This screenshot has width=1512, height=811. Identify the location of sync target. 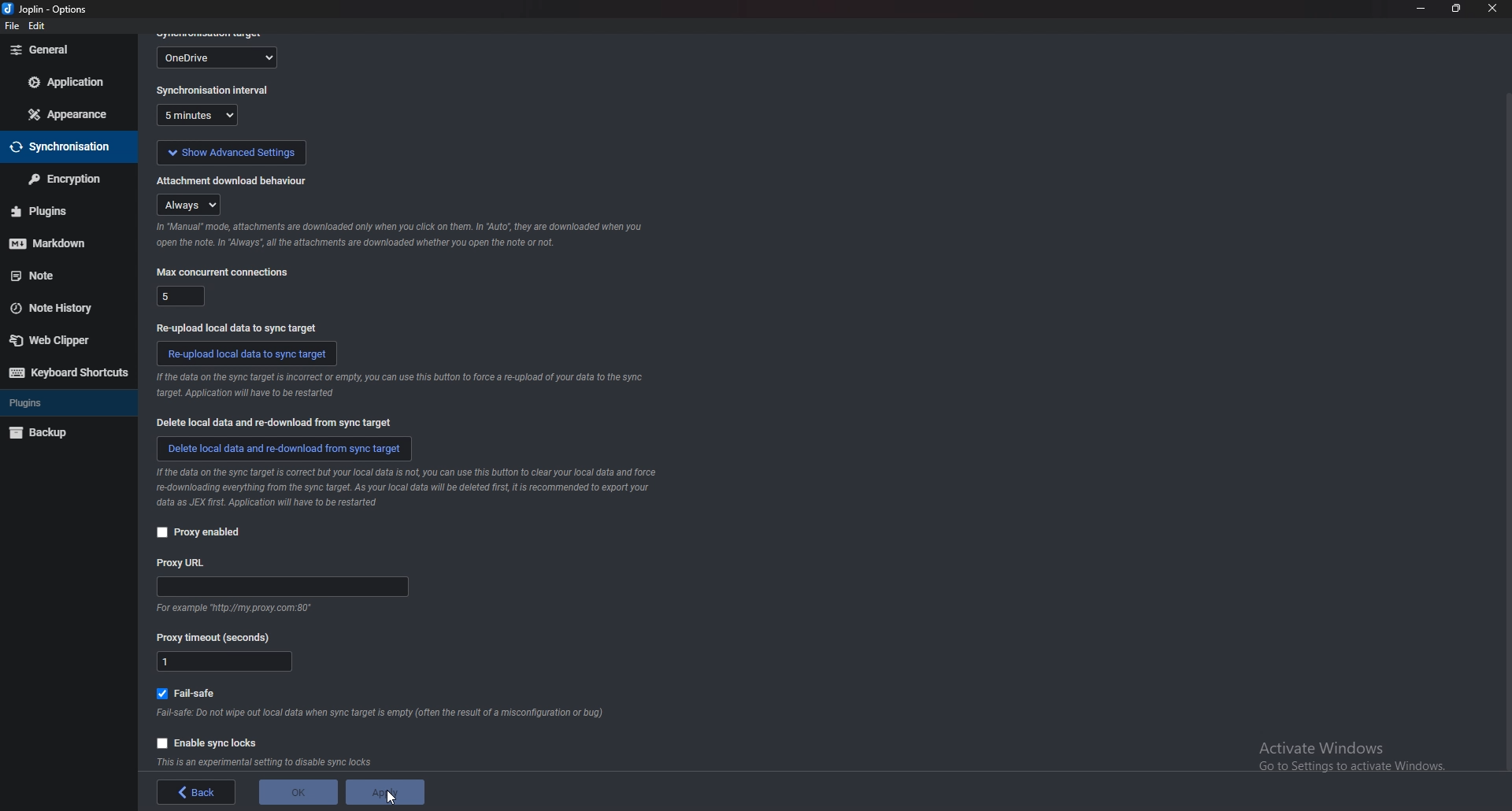
(219, 56).